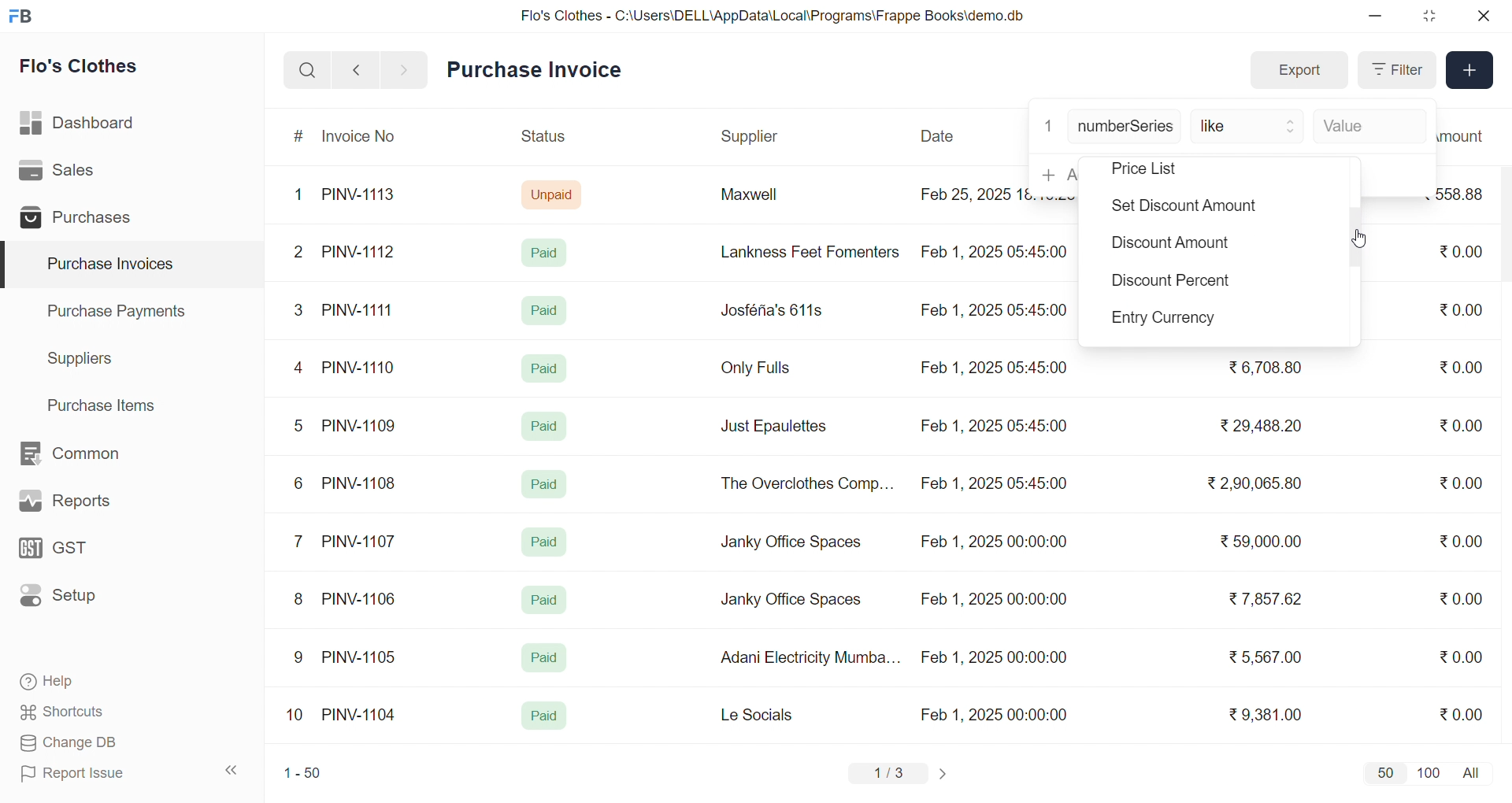 The width and height of the screenshot is (1512, 803). Describe the element at coordinates (992, 312) in the screenshot. I see `Feb 1, 2025 05:45:00` at that location.